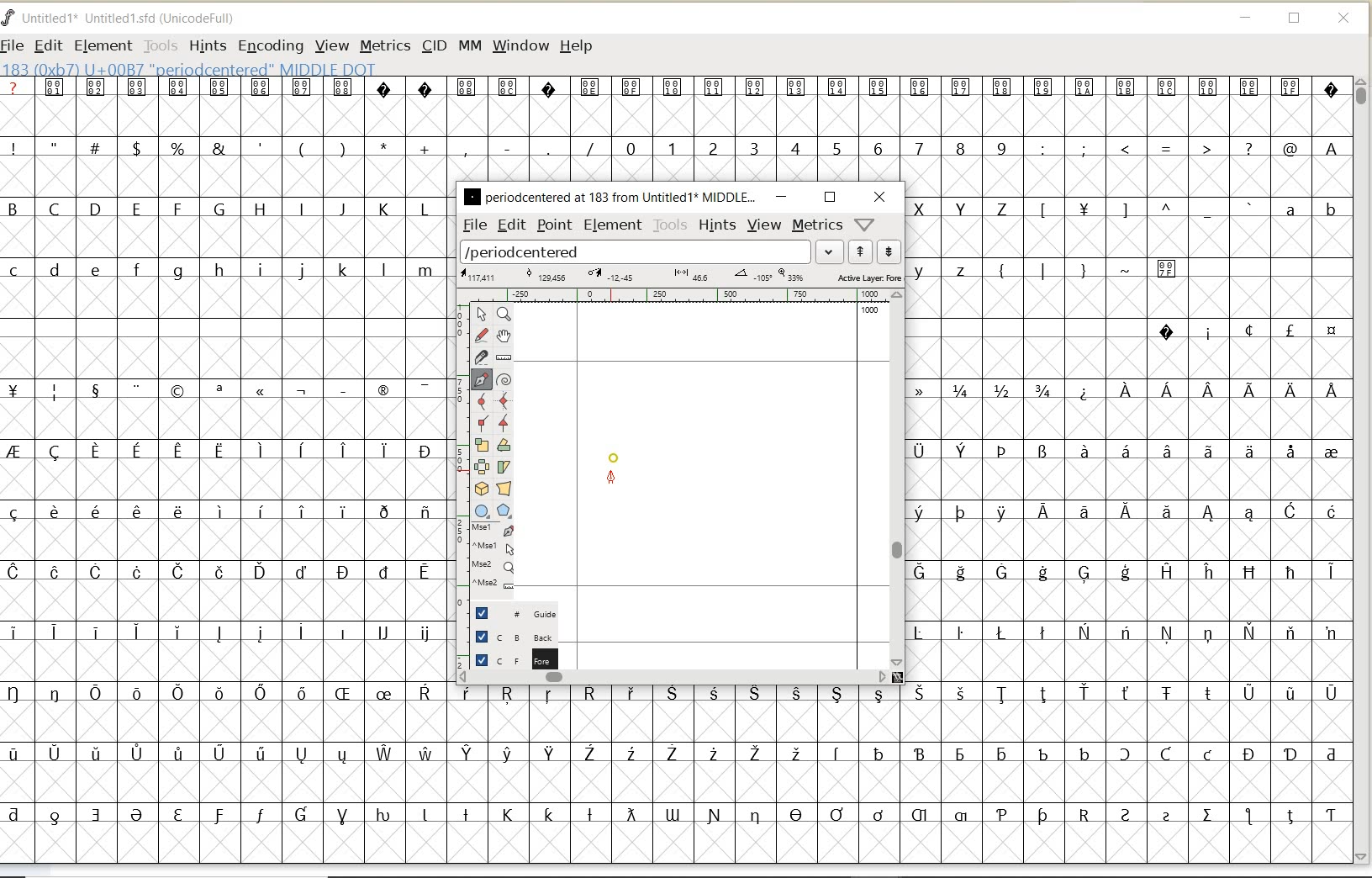 The image size is (1372, 878). What do you see at coordinates (520, 45) in the screenshot?
I see `WINDOW` at bounding box center [520, 45].